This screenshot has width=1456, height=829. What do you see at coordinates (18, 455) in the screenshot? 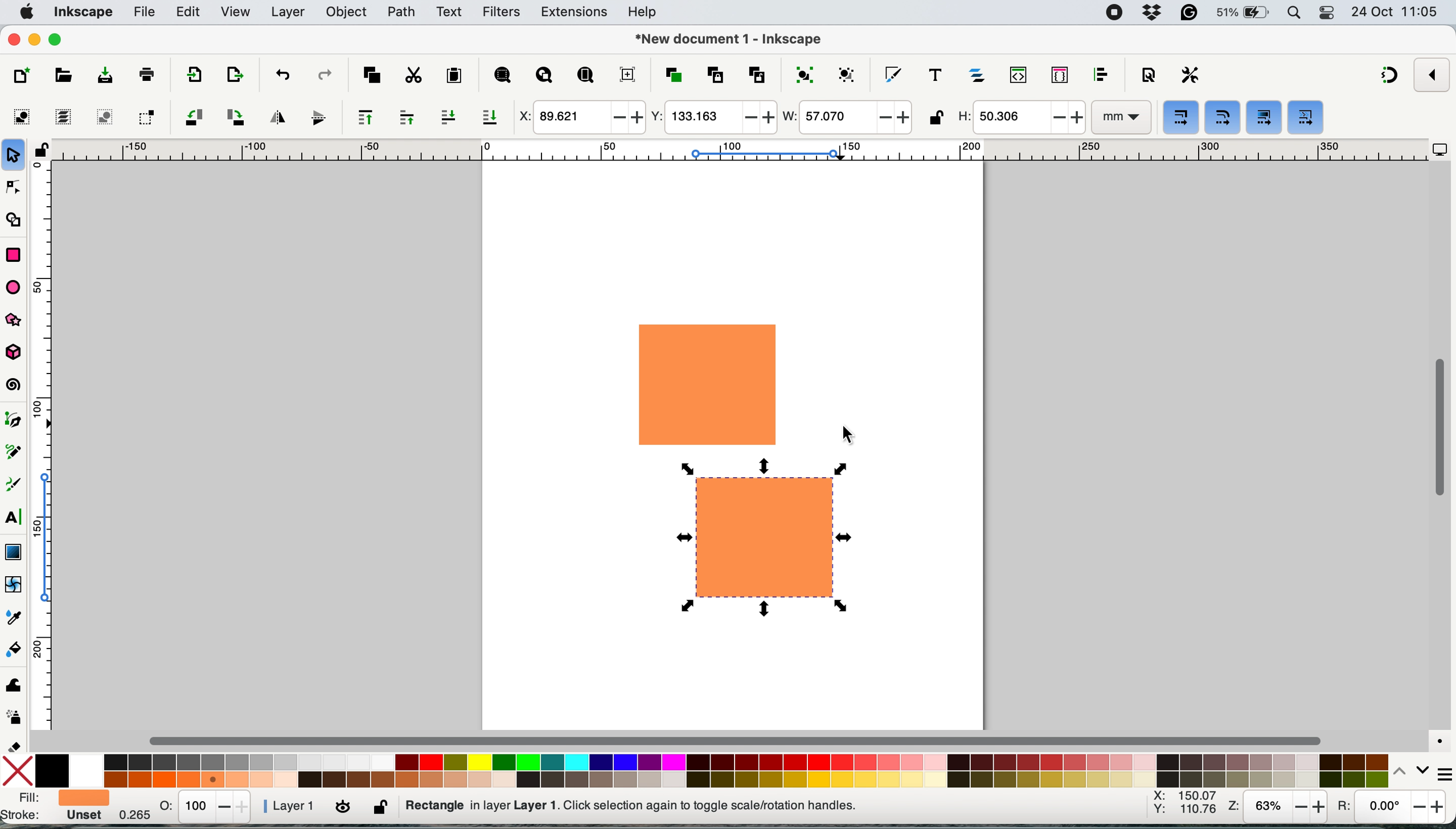
I see `pencil tool` at bounding box center [18, 455].